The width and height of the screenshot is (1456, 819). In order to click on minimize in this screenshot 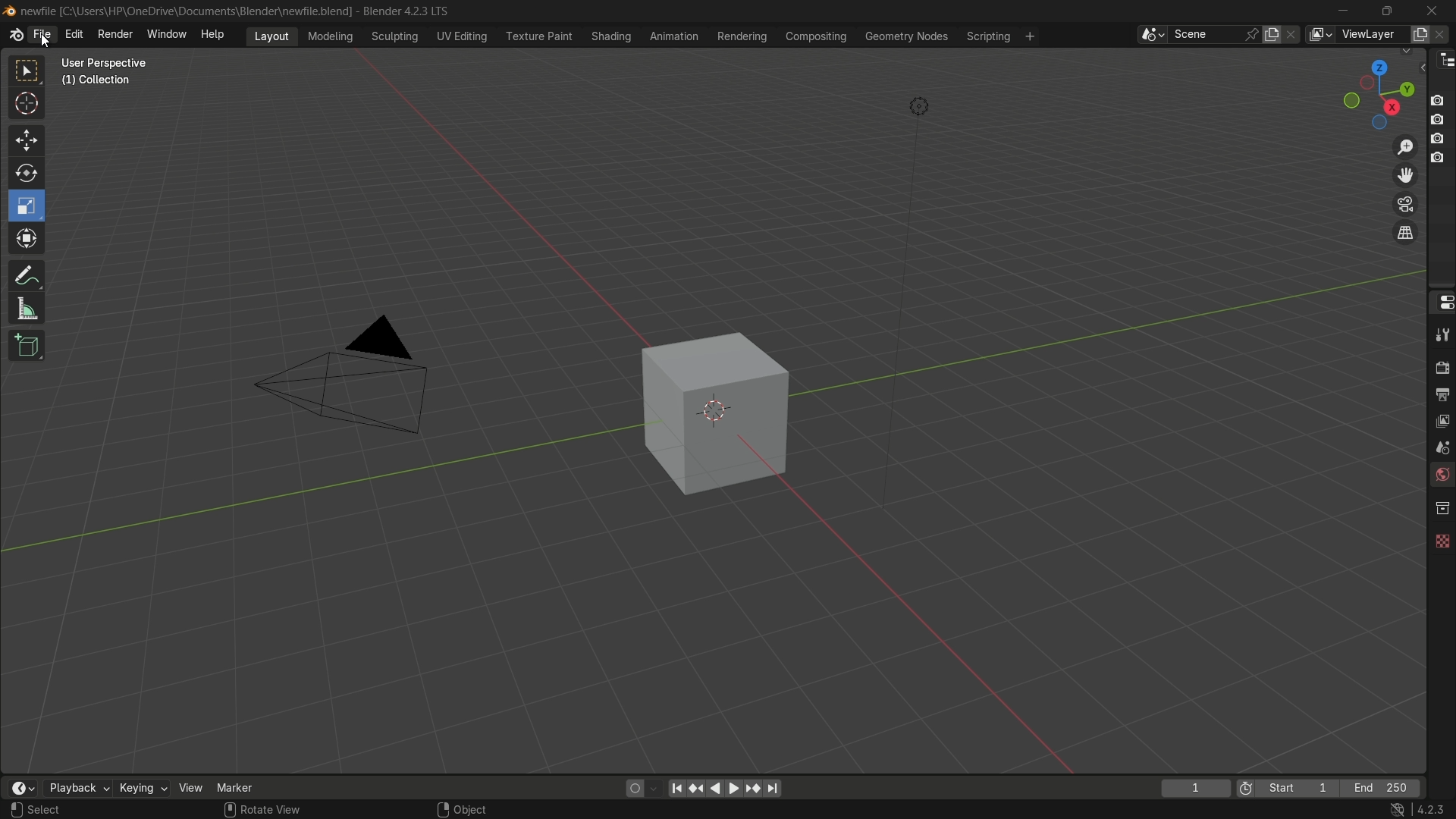, I will do `click(1344, 11)`.